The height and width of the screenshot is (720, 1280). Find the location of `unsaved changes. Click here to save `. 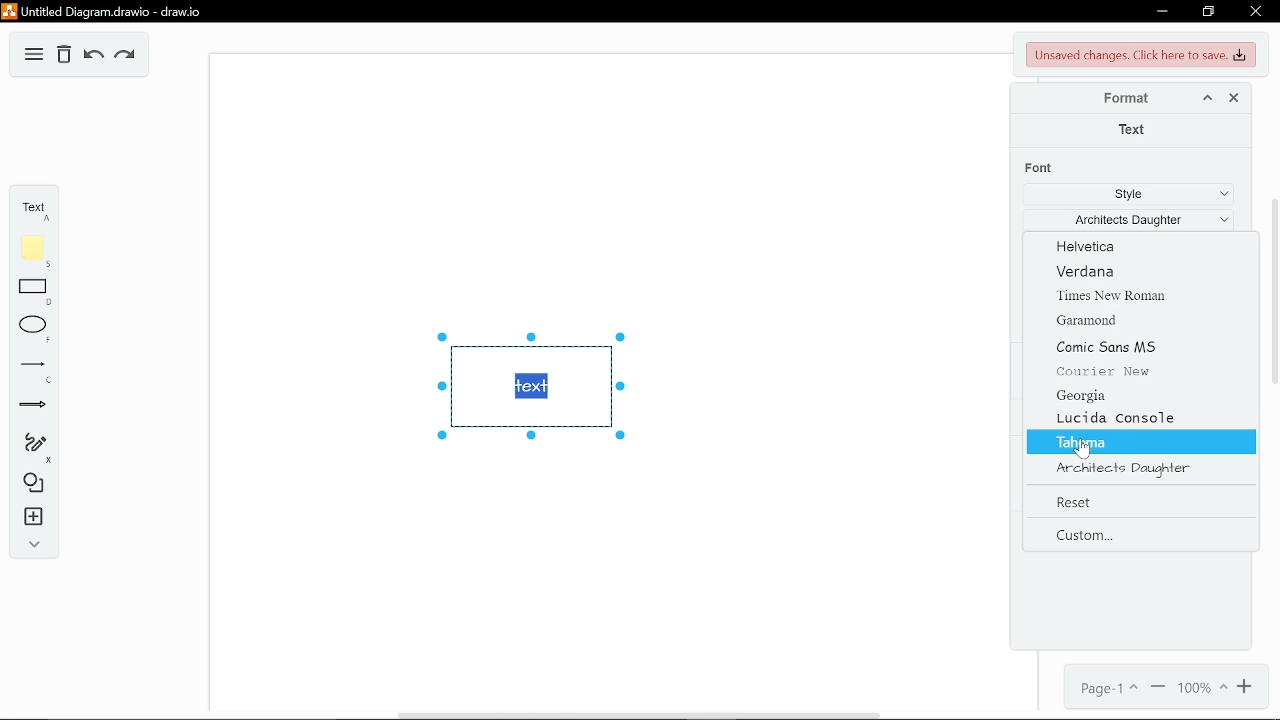

unsaved changes. Click here to save  is located at coordinates (1138, 55).